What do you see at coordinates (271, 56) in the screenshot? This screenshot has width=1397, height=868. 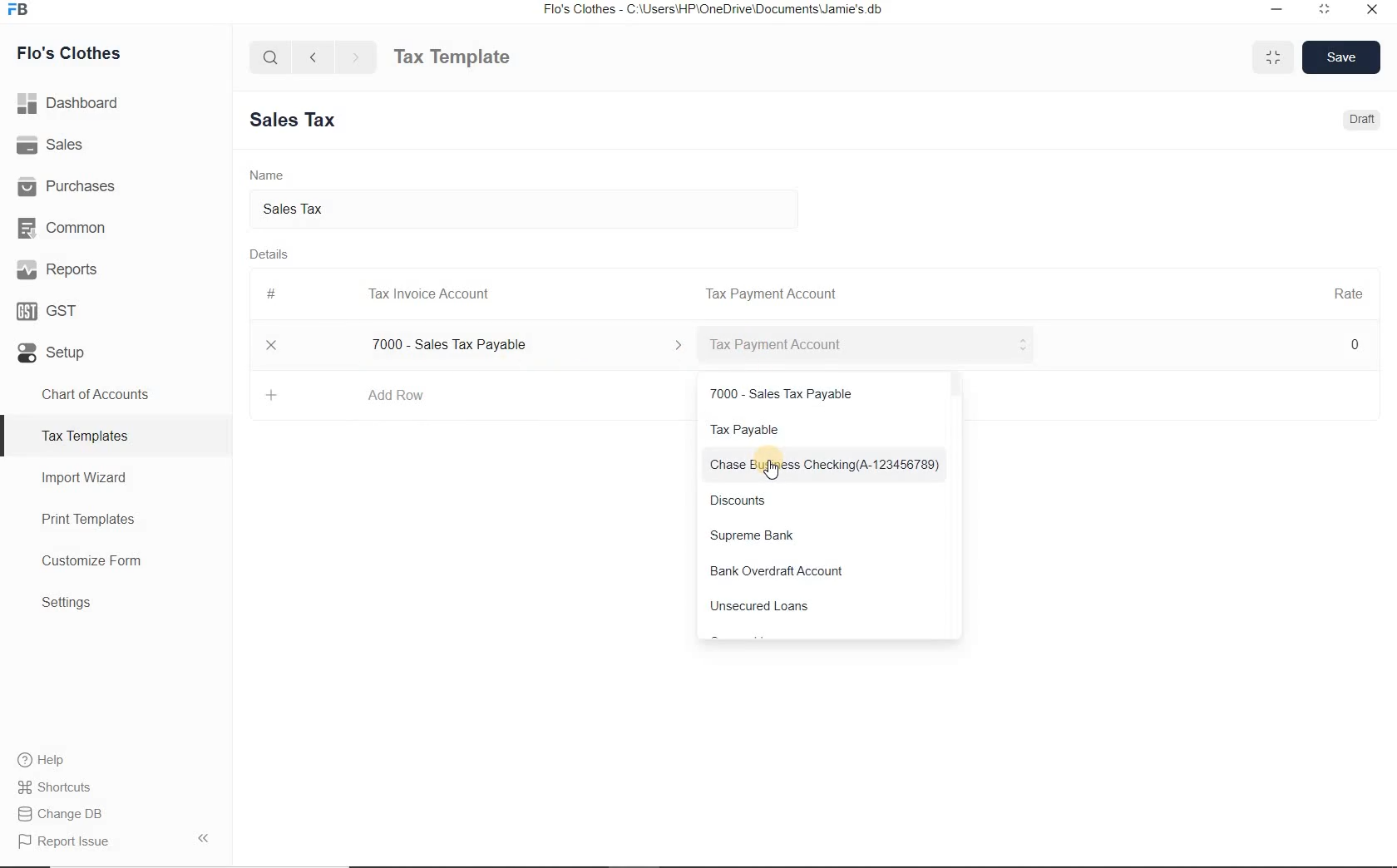 I see `Search Bar` at bounding box center [271, 56].